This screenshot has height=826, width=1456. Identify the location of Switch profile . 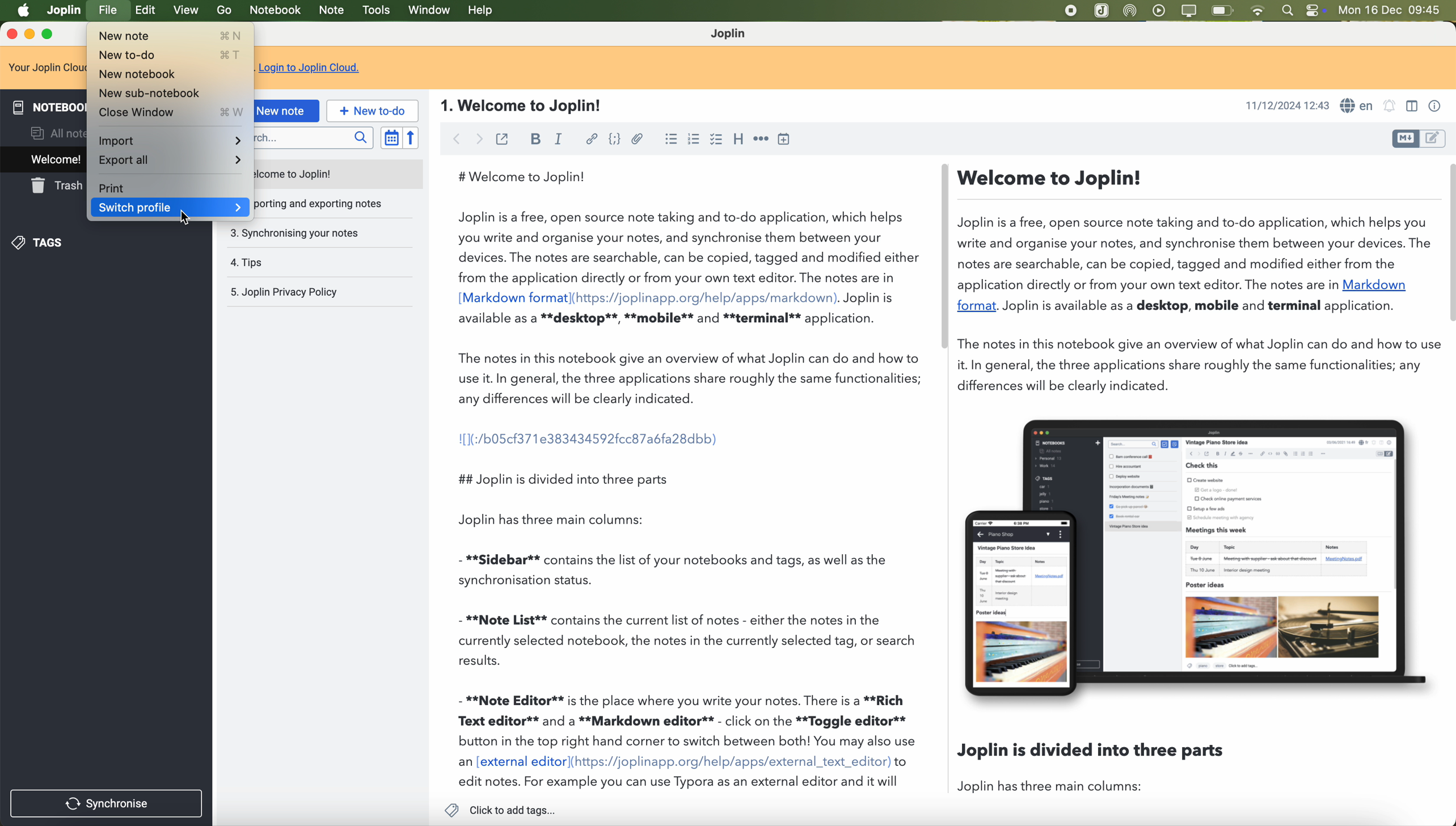
(170, 206).